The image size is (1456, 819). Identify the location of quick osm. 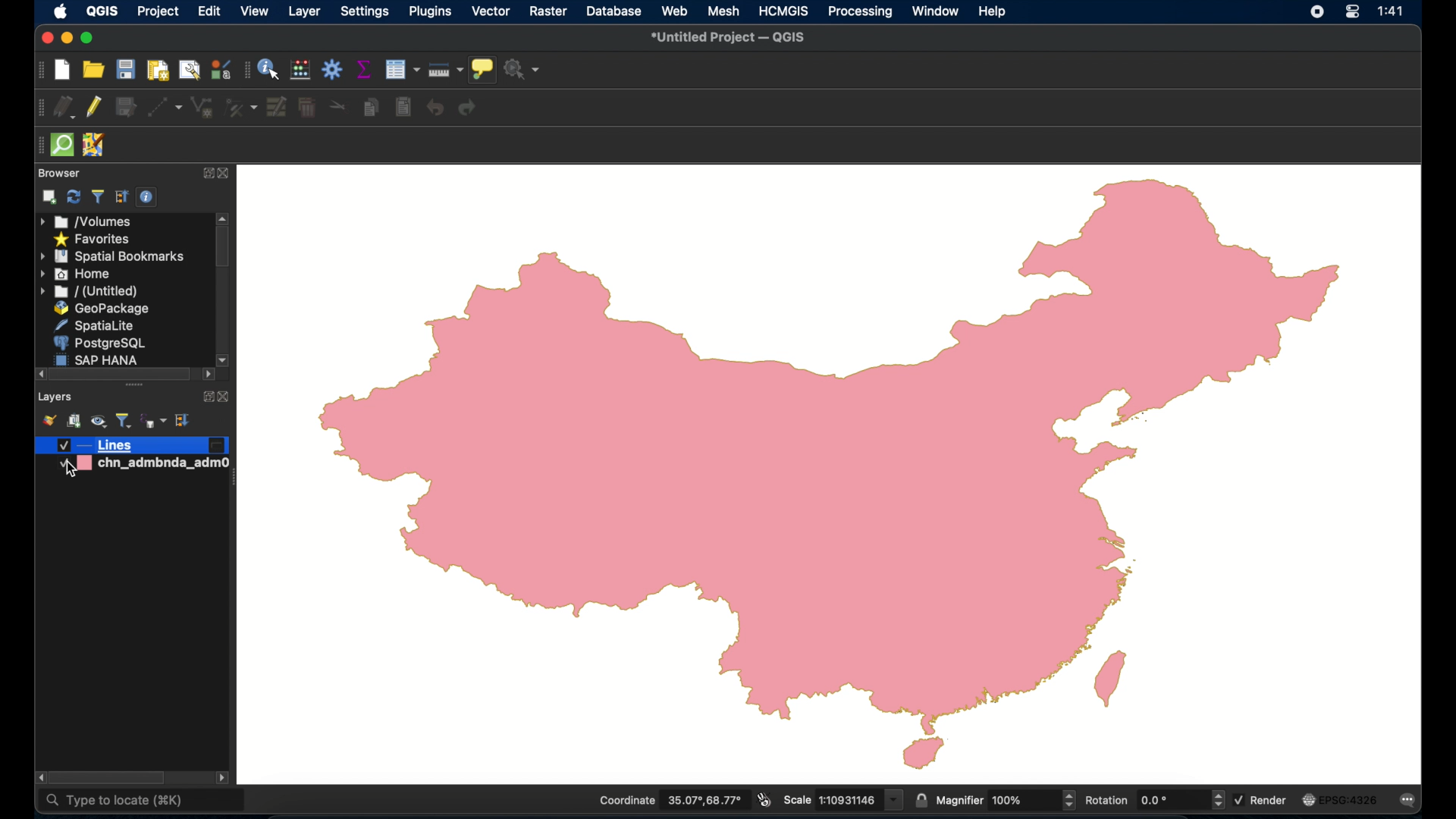
(64, 146).